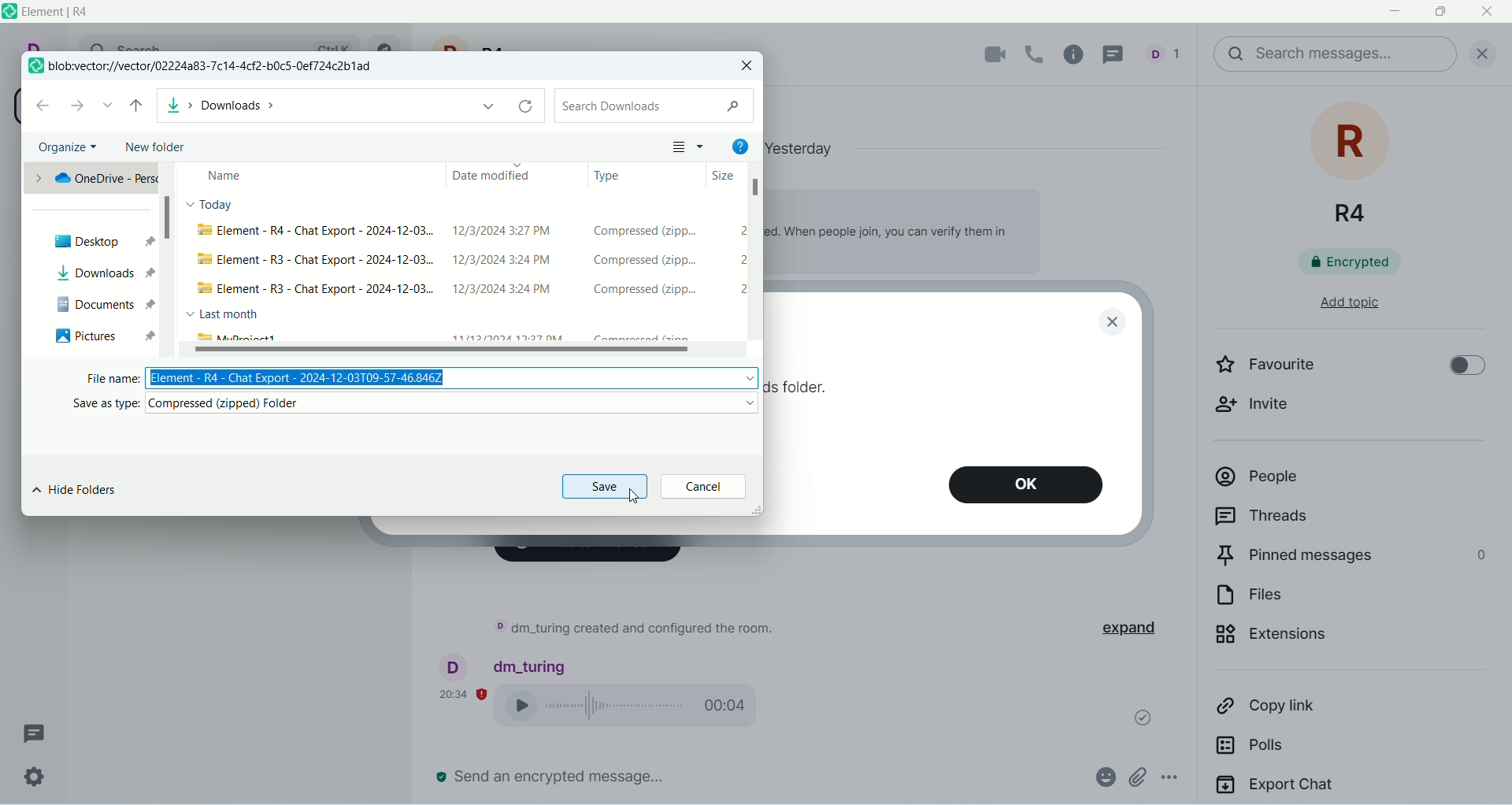 The height and width of the screenshot is (805, 1512). Describe the element at coordinates (1347, 788) in the screenshot. I see `export chat` at that location.